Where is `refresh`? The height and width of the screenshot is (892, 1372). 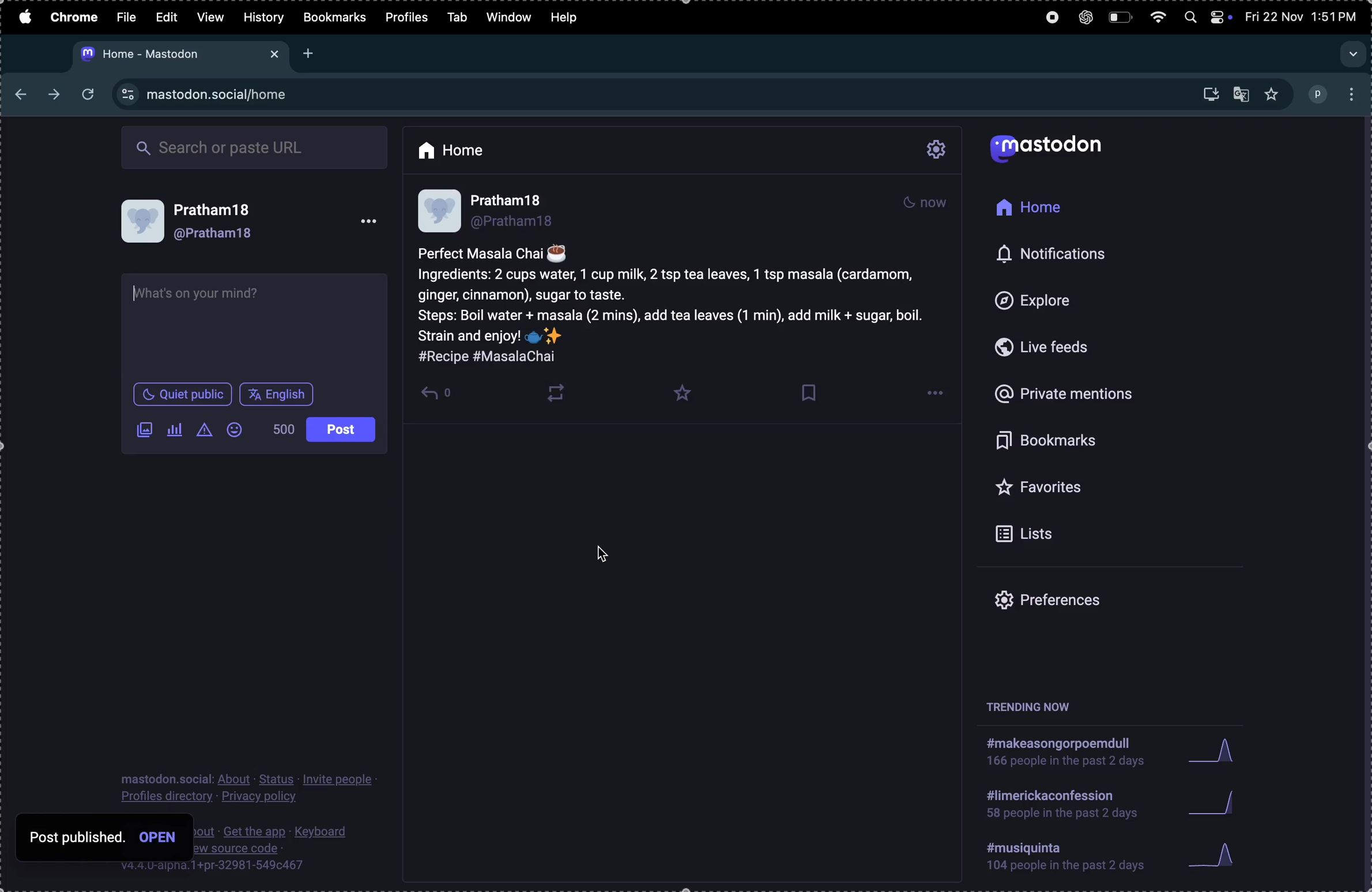
refresh is located at coordinates (92, 97).